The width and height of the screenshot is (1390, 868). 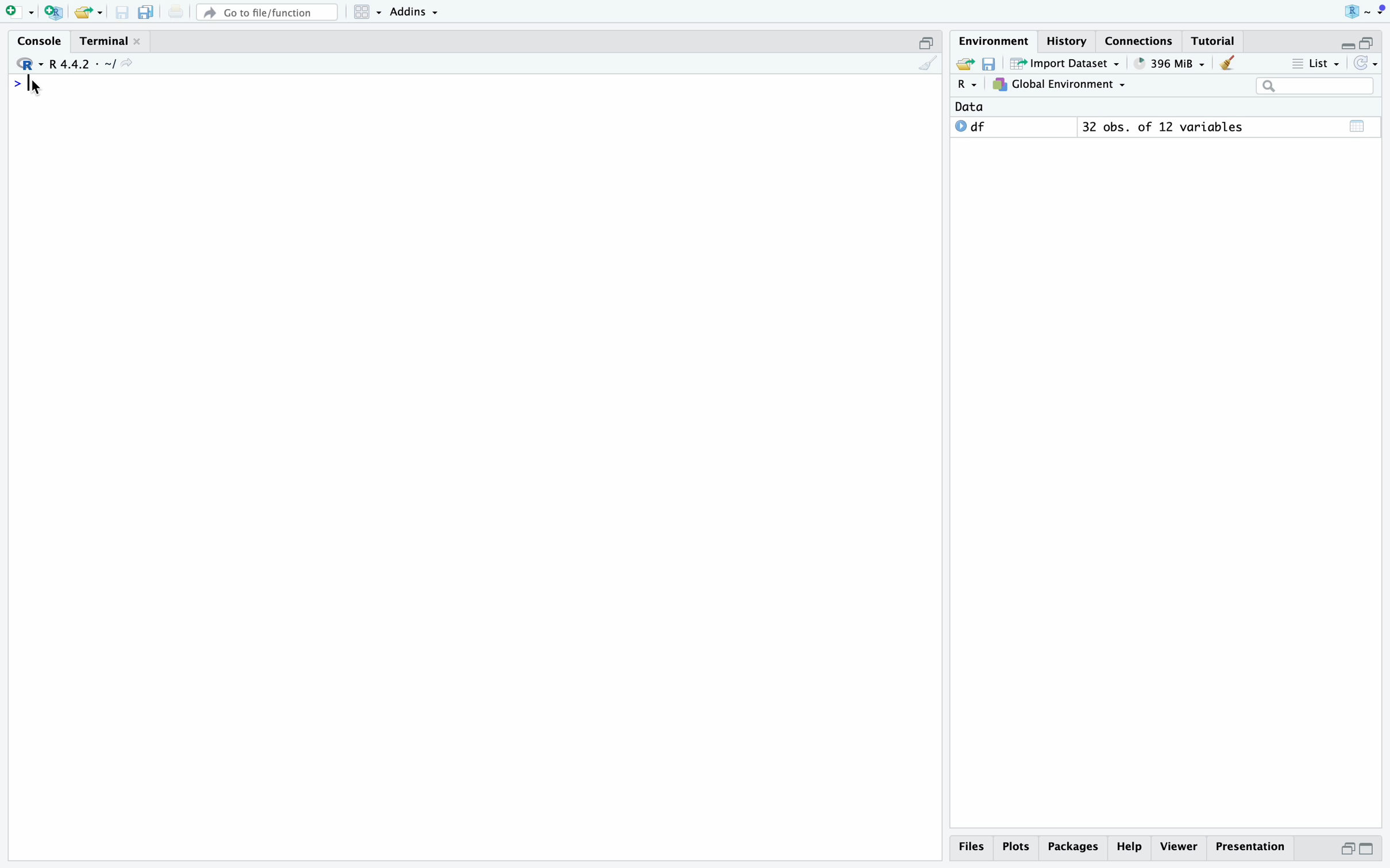 I want to click on plots, so click(x=1018, y=848).